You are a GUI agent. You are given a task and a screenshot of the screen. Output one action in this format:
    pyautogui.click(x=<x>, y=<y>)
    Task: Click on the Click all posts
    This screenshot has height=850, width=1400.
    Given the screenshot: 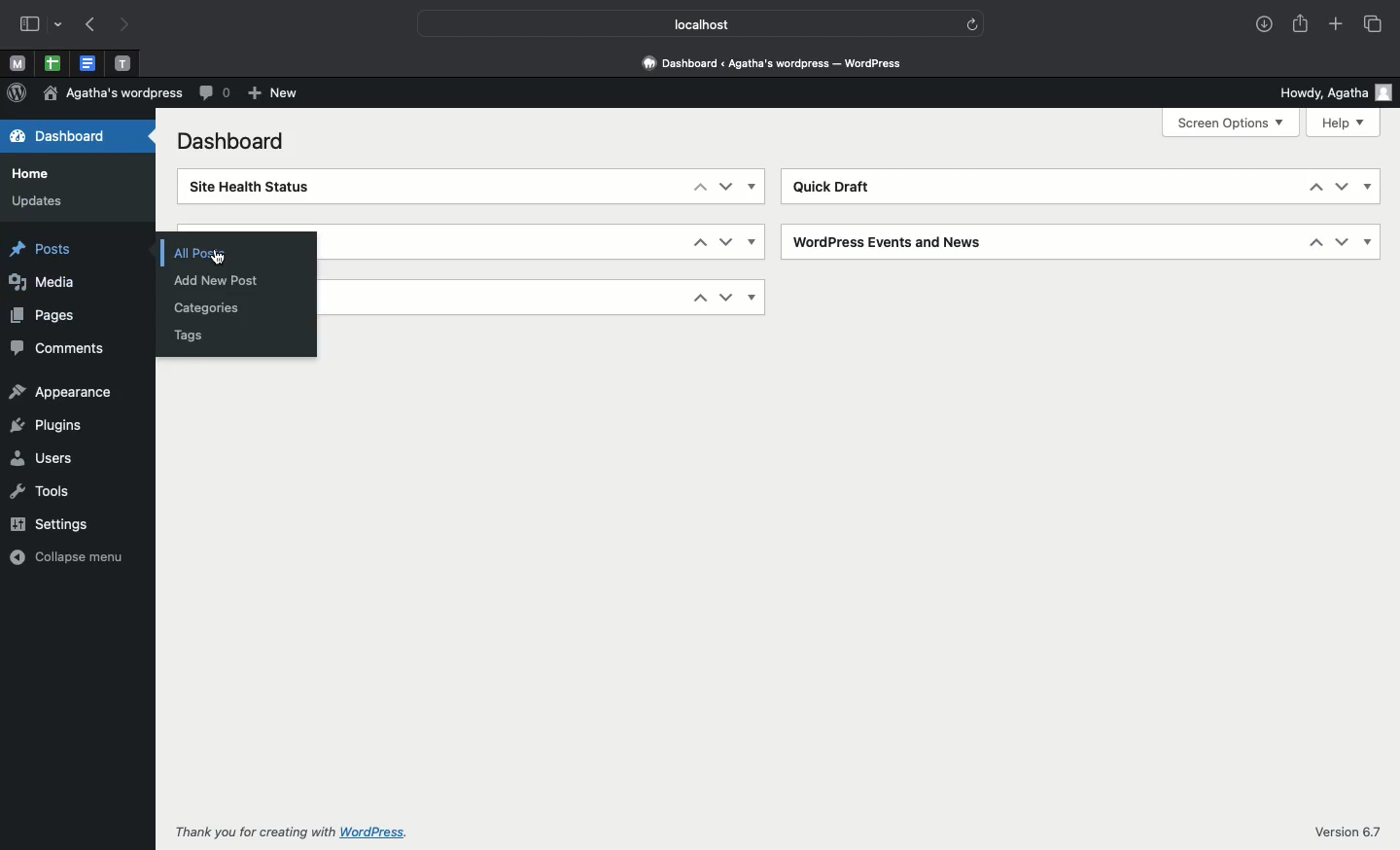 What is the action you would take?
    pyautogui.click(x=216, y=253)
    